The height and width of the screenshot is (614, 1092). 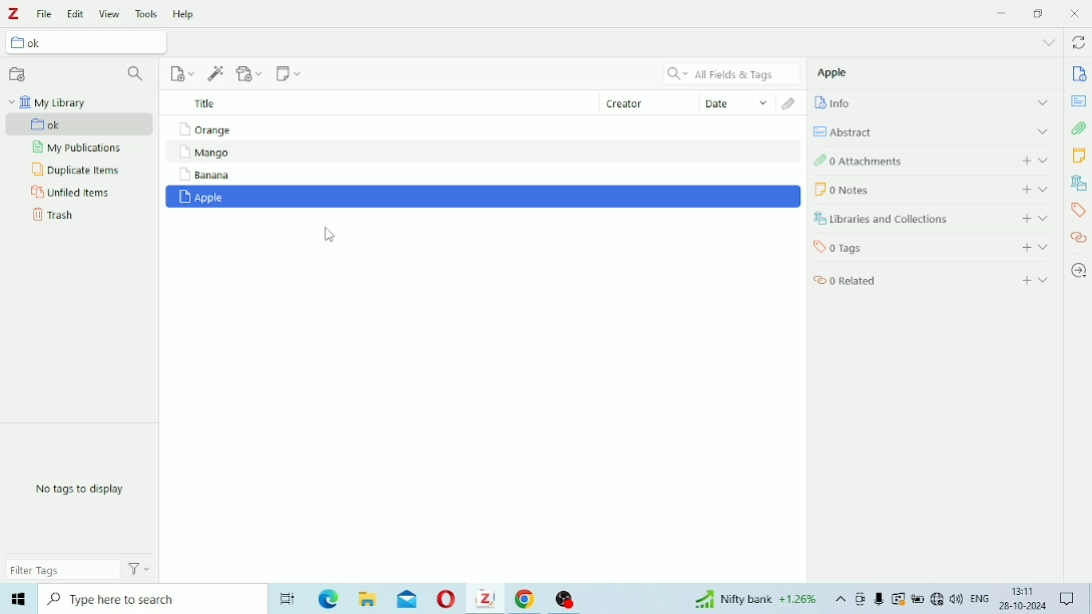 What do you see at coordinates (146, 11) in the screenshot?
I see `Tools` at bounding box center [146, 11].